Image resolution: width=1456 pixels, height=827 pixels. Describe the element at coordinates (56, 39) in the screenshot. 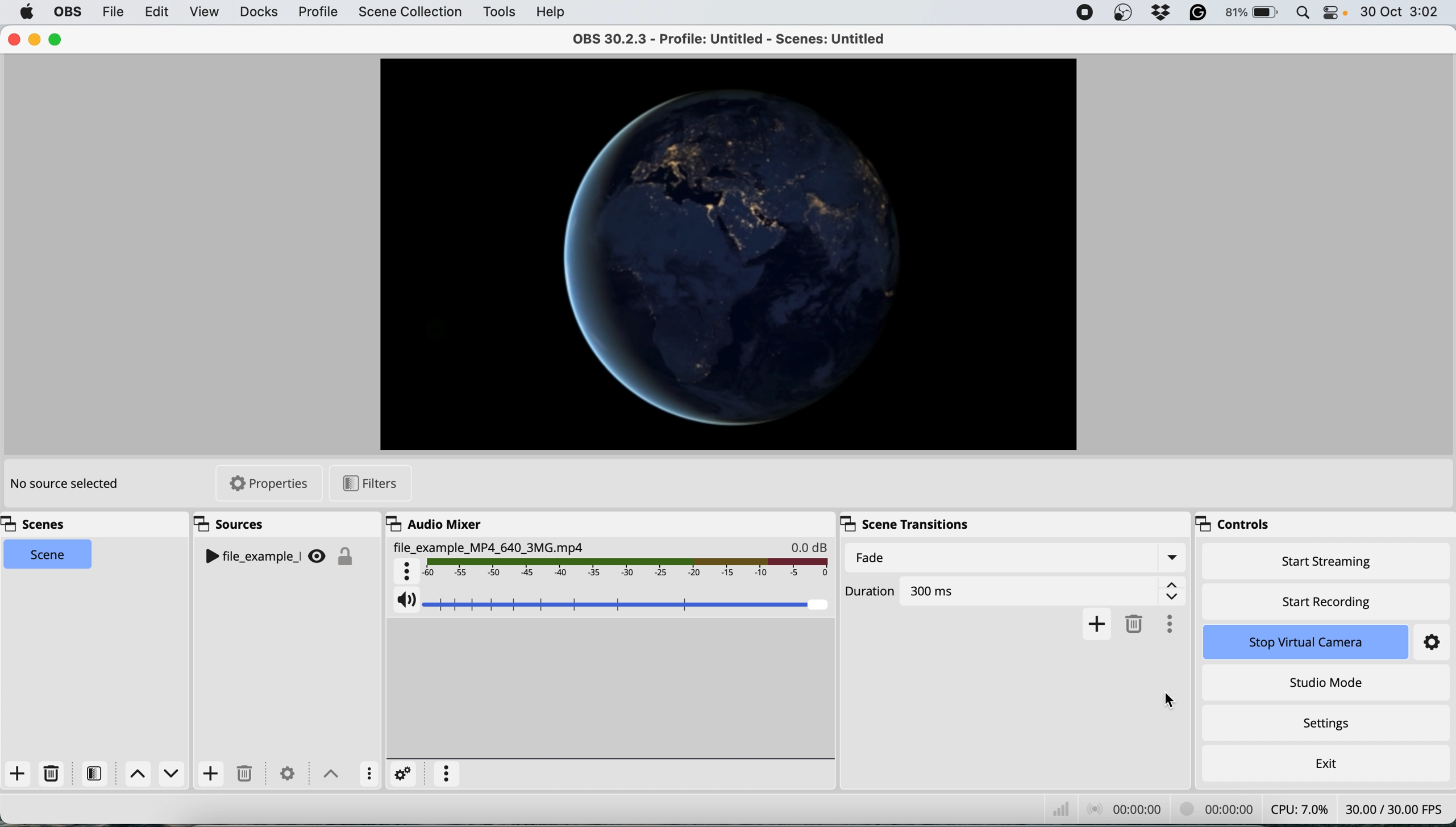

I see `maximise` at that location.